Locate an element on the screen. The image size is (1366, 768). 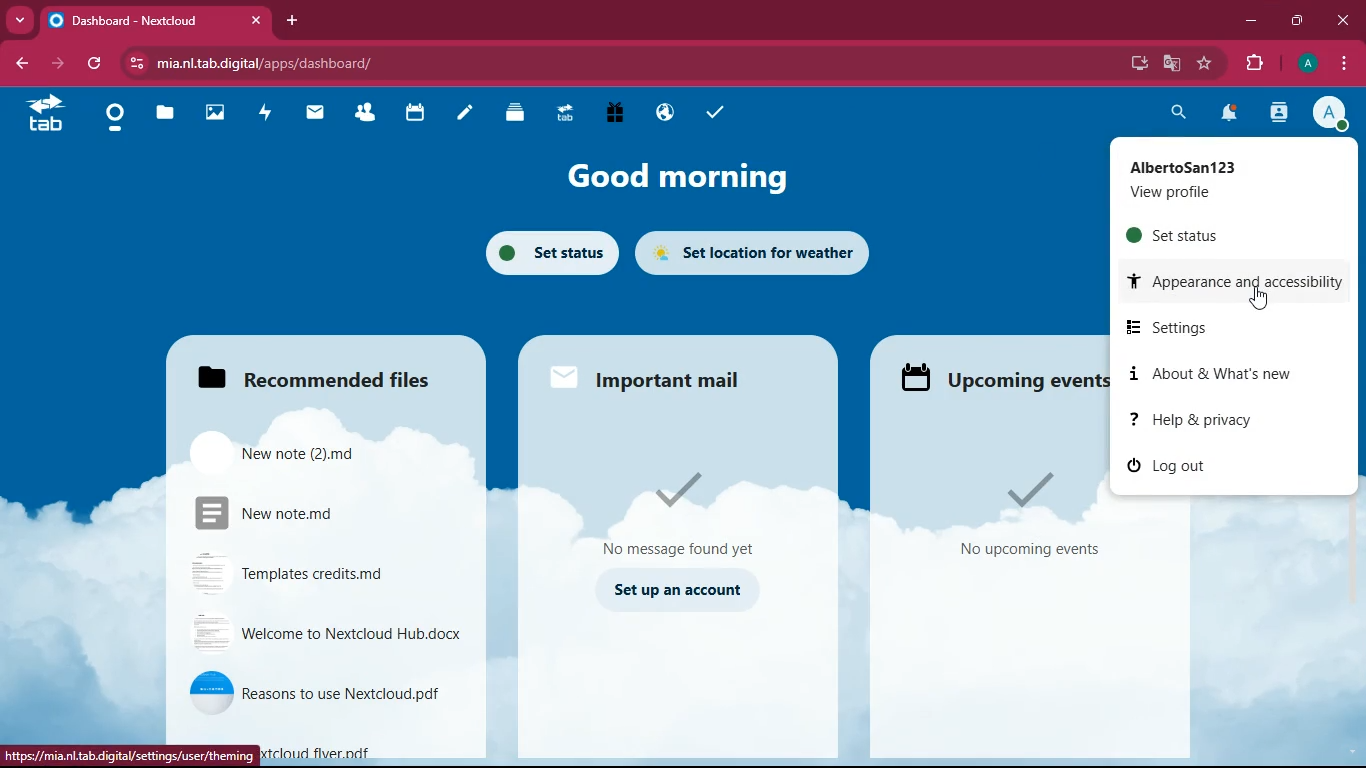
tab is located at coordinates (41, 118).